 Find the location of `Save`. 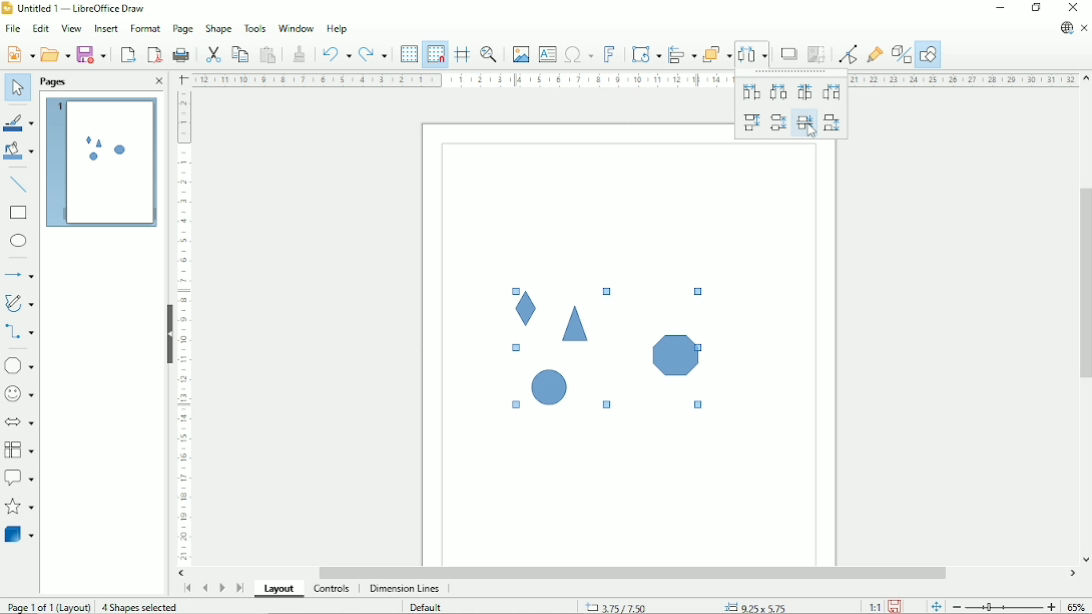

Save is located at coordinates (895, 606).